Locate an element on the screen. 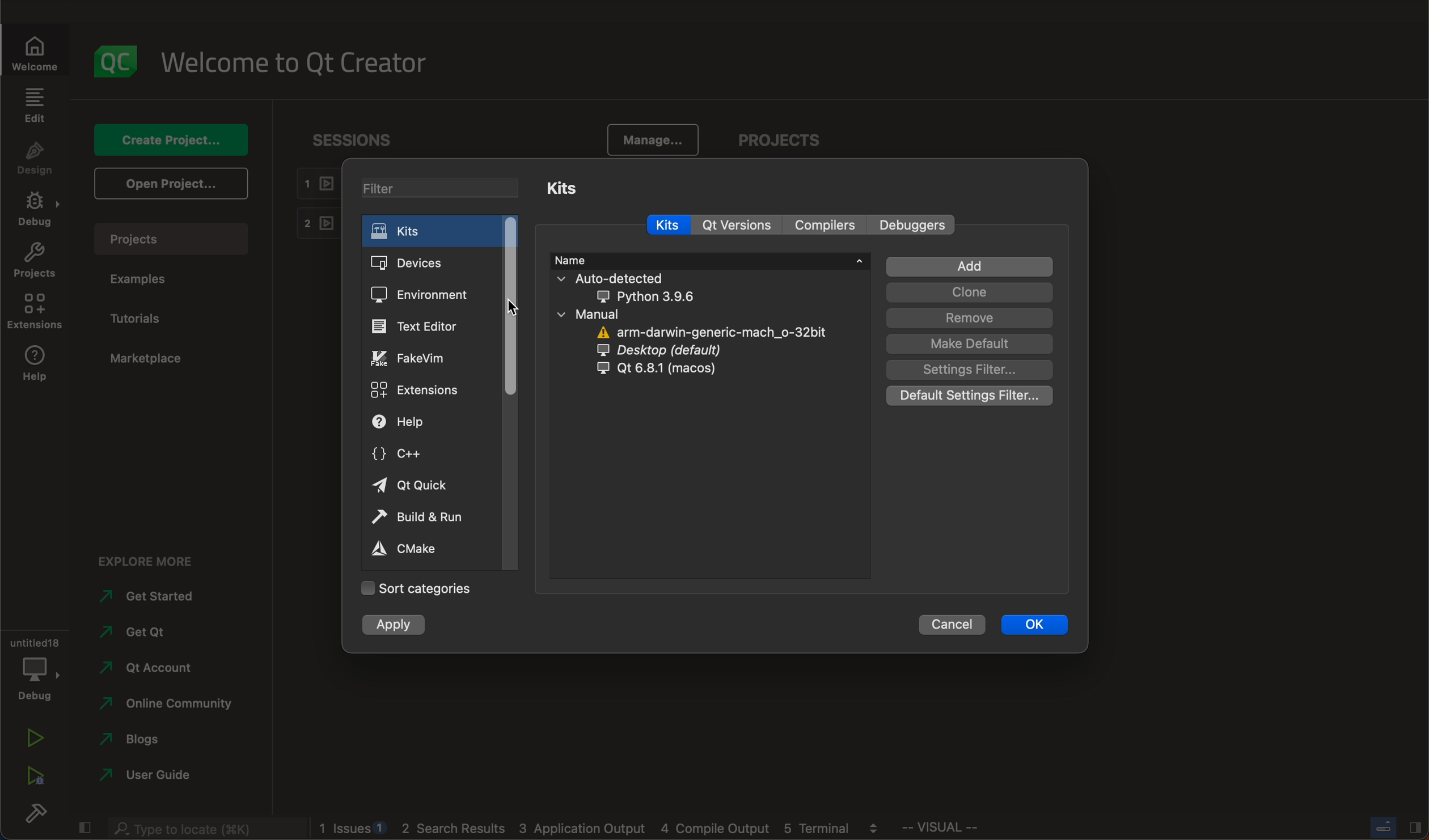 Image resolution: width=1429 pixels, height=840 pixels. arm darwin is located at coordinates (708, 333).